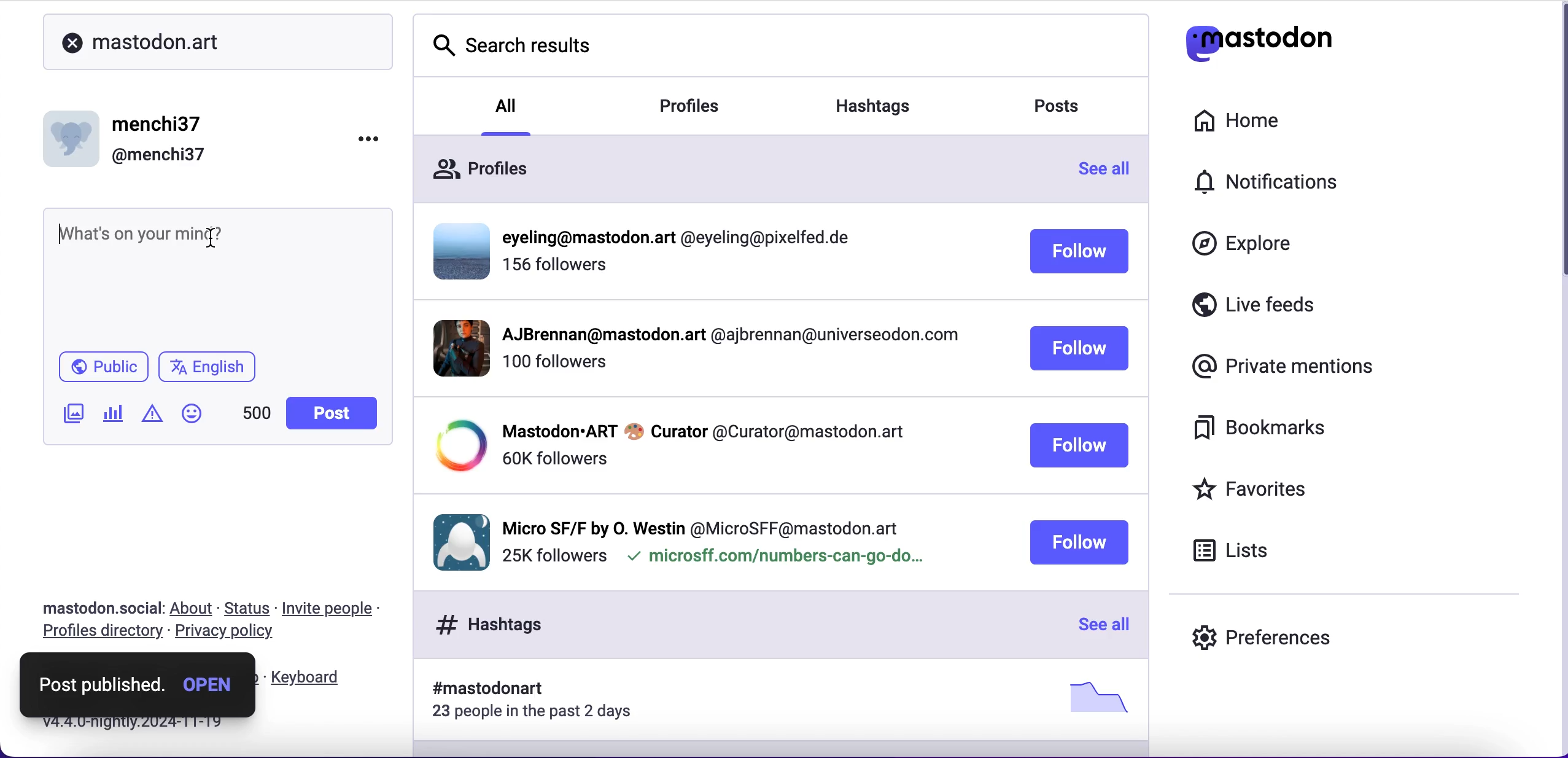  What do you see at coordinates (521, 42) in the screenshot?
I see `search results` at bounding box center [521, 42].